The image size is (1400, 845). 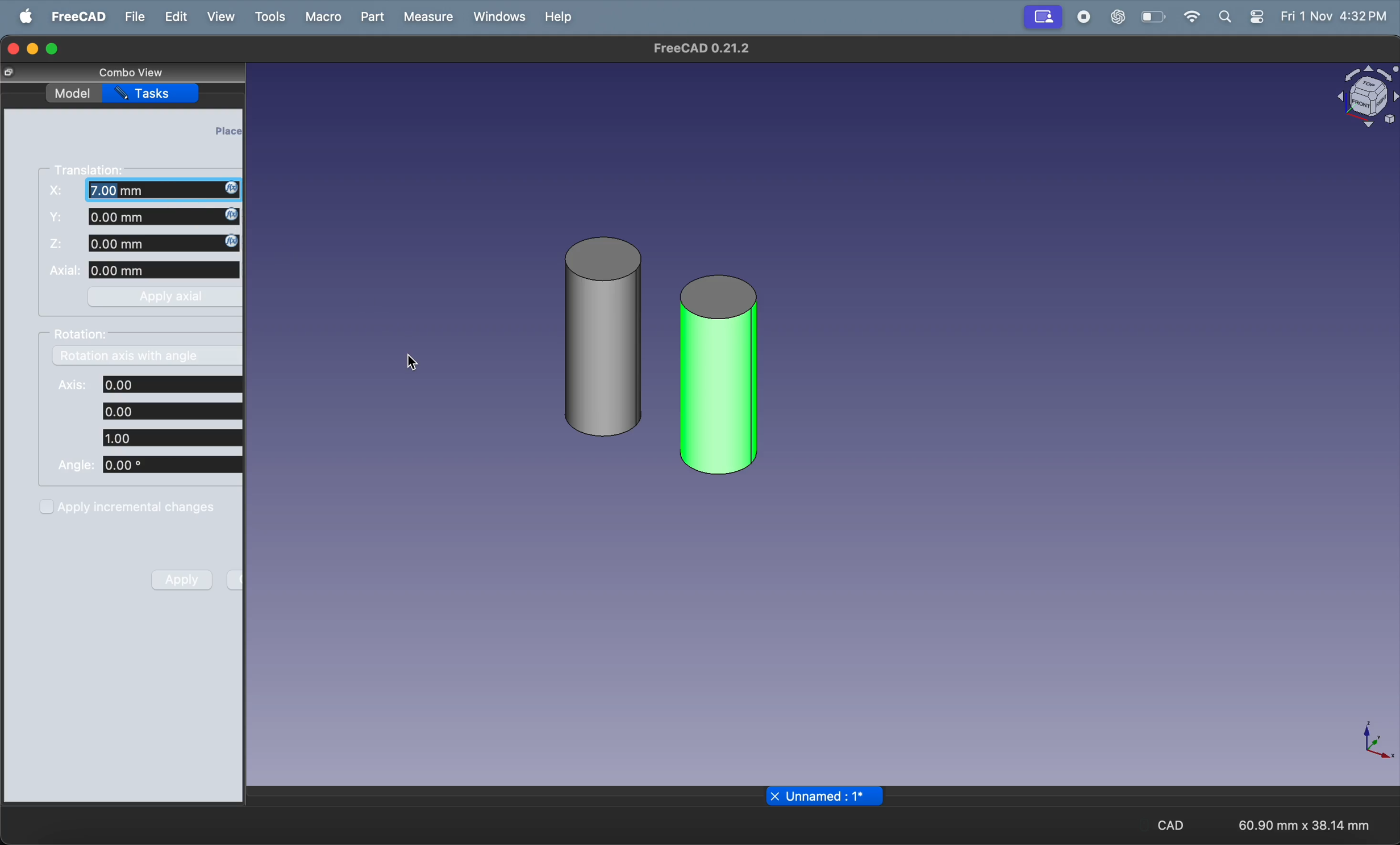 I want to click on record, so click(x=1080, y=17).